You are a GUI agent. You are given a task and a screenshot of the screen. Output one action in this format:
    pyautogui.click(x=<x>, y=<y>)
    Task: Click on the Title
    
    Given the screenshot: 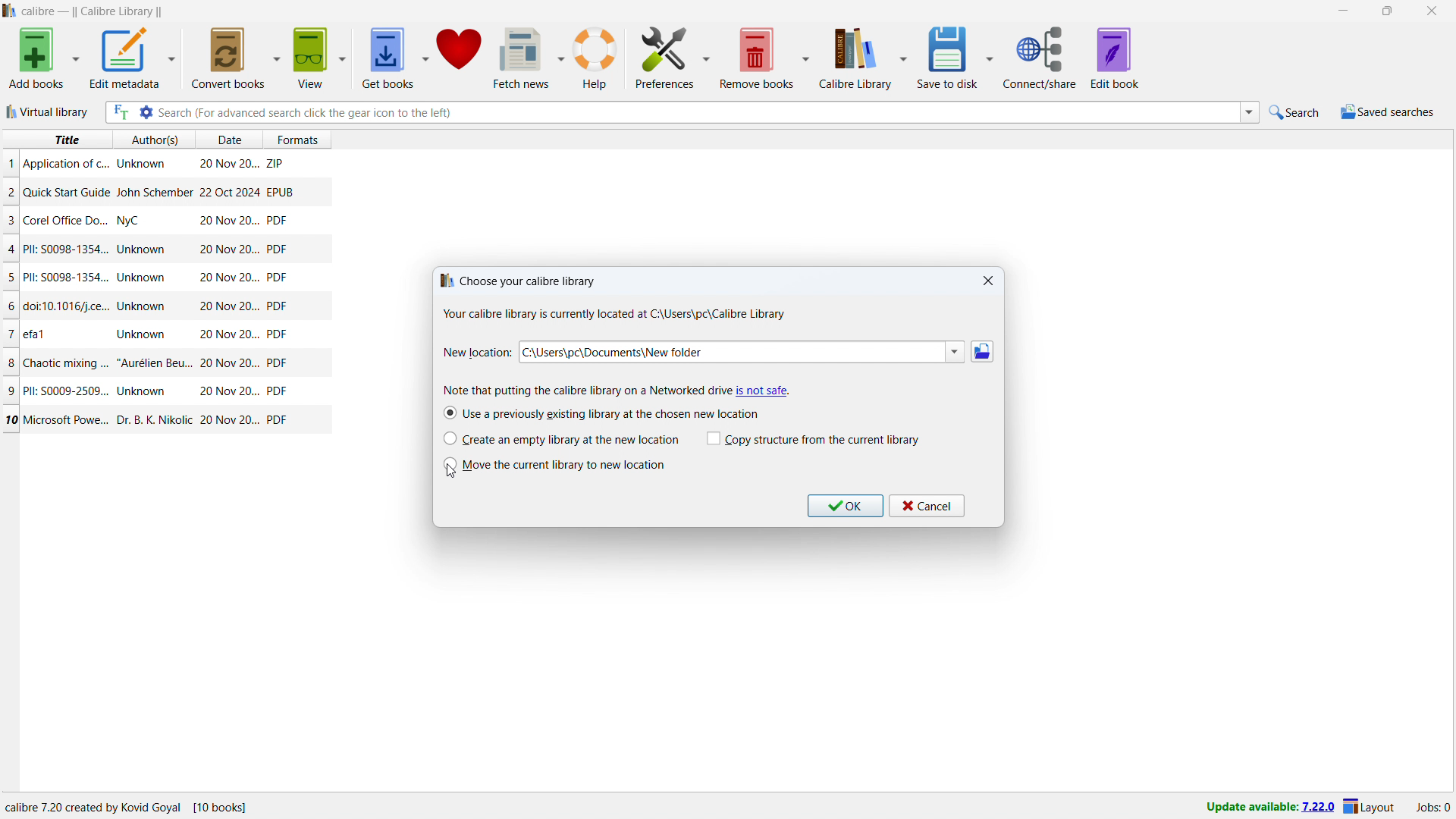 What is the action you would take?
    pyautogui.click(x=70, y=220)
    